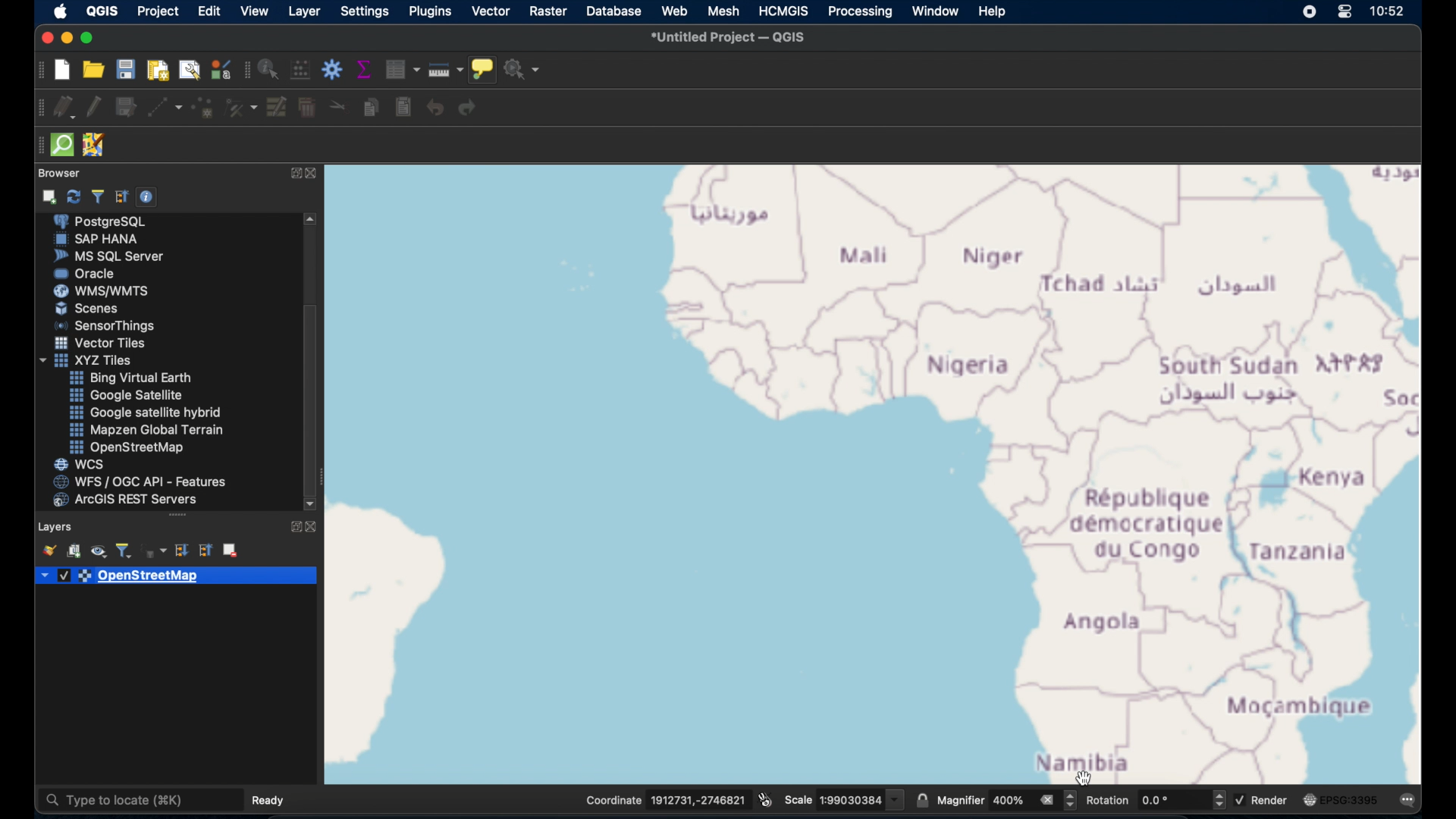 Image resolution: width=1456 pixels, height=819 pixels. Describe the element at coordinates (313, 397) in the screenshot. I see `scroll box` at that location.